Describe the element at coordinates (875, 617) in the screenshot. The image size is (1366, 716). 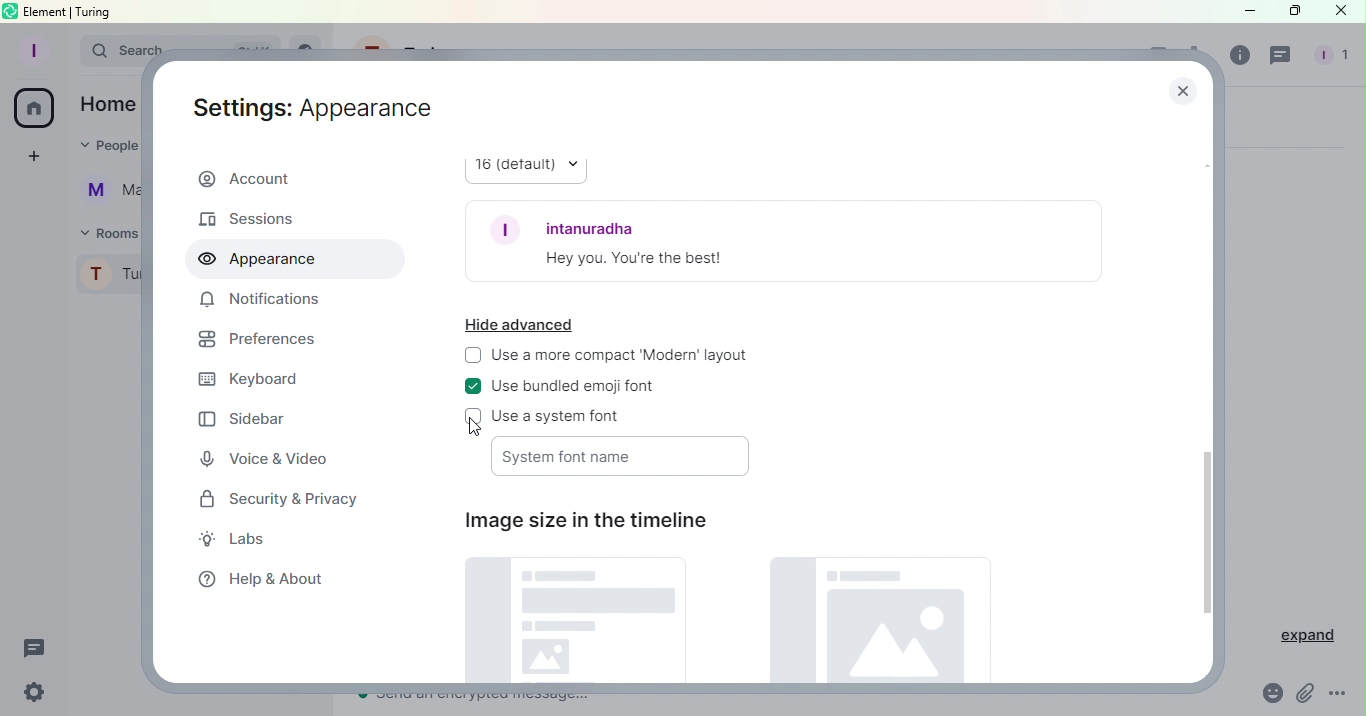
I see `Large` at that location.